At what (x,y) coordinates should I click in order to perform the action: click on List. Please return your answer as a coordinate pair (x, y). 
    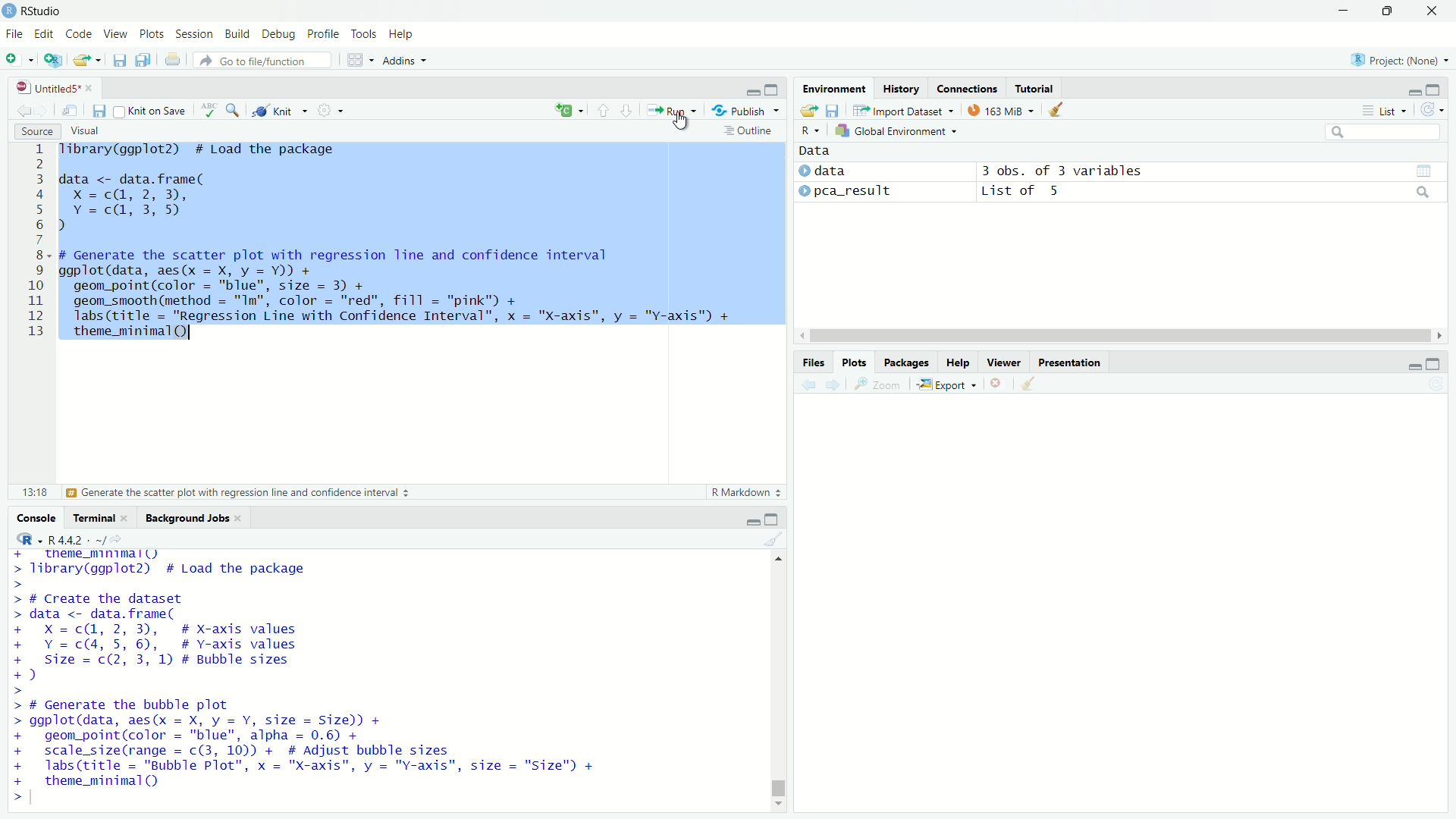
    Looking at the image, I should click on (1383, 110).